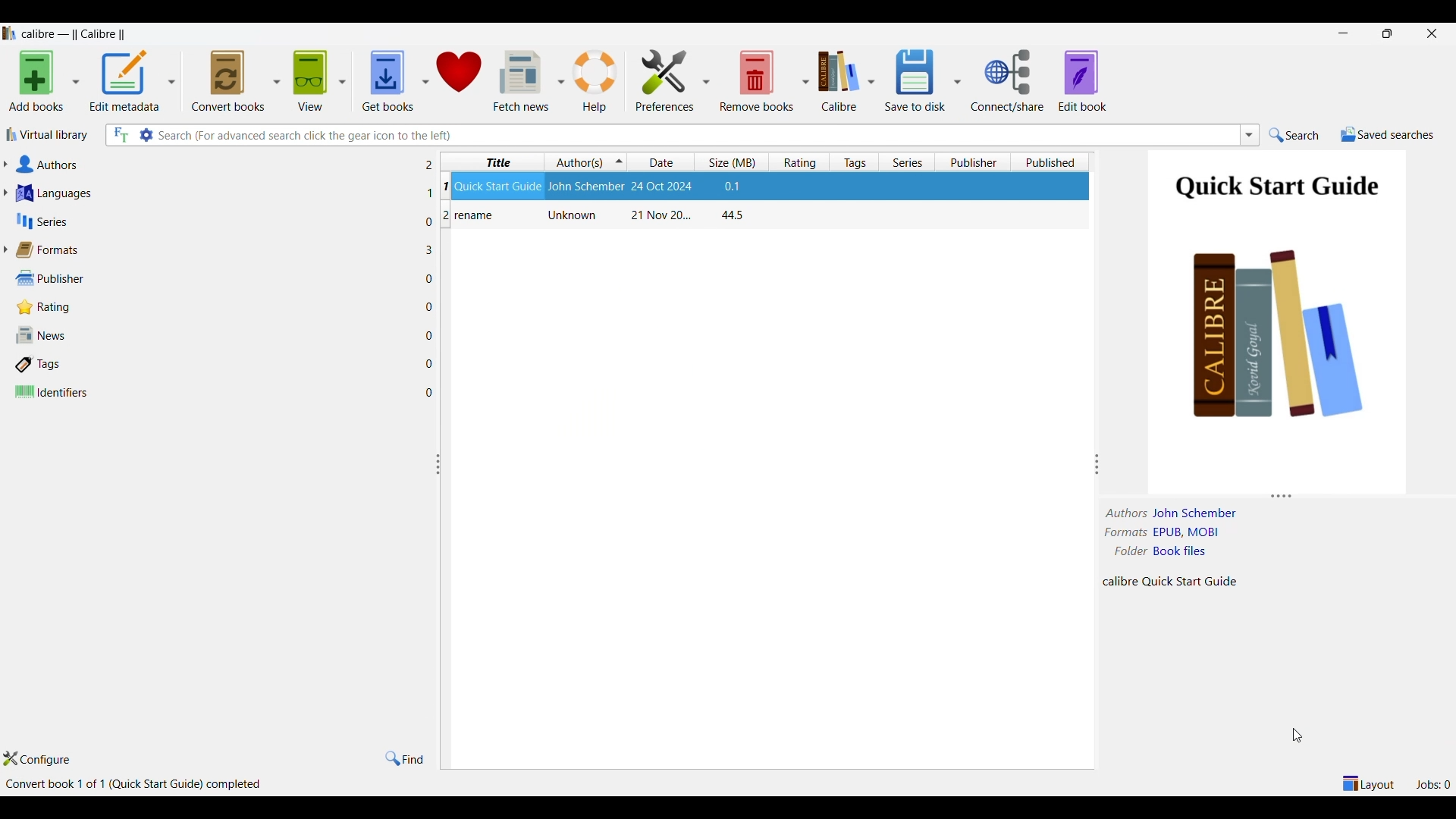 The height and width of the screenshot is (819, 1456). Describe the element at coordinates (277, 80) in the screenshot. I see `Convert book options` at that location.